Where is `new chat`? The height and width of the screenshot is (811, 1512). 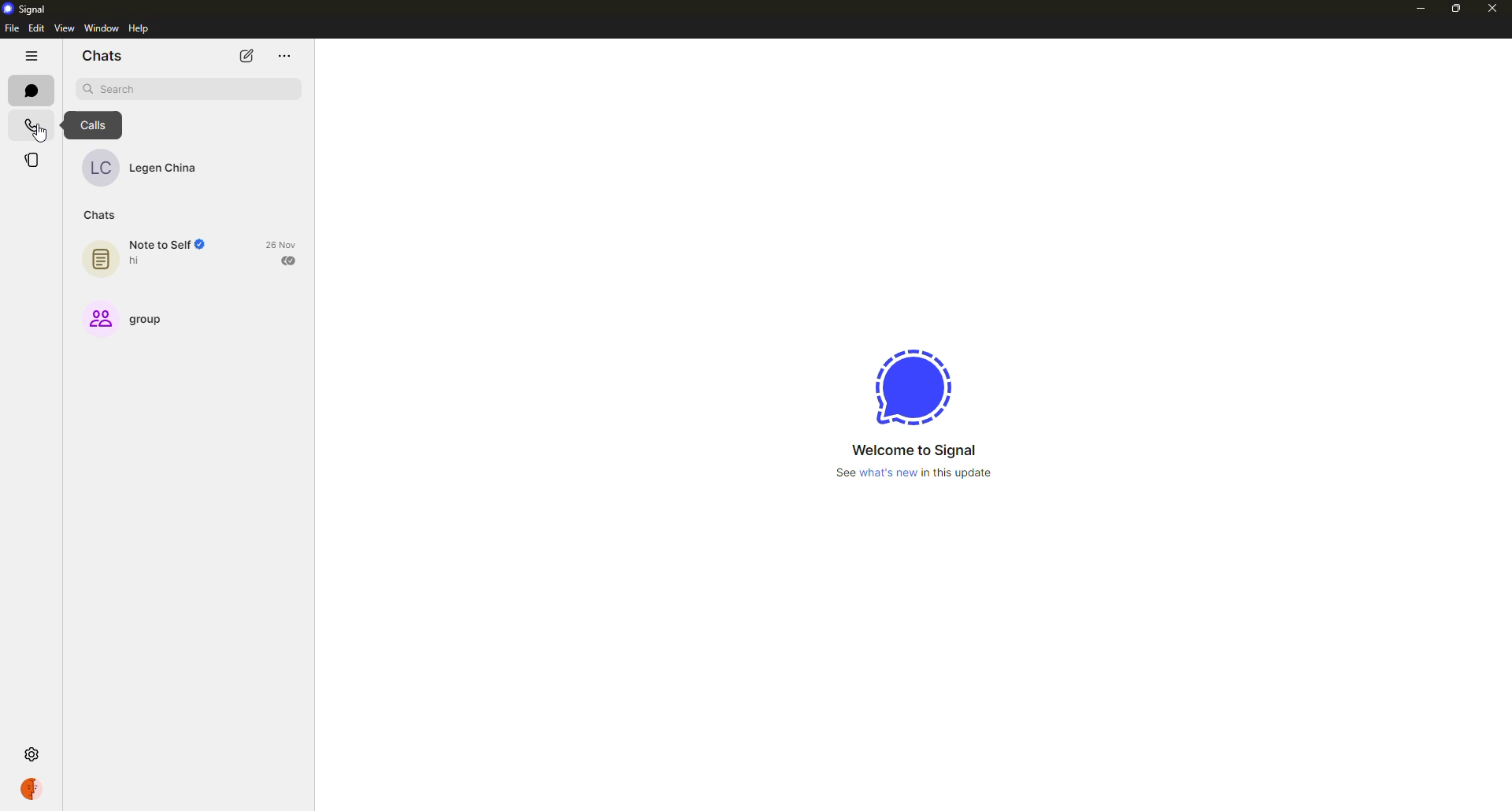 new chat is located at coordinates (246, 57).